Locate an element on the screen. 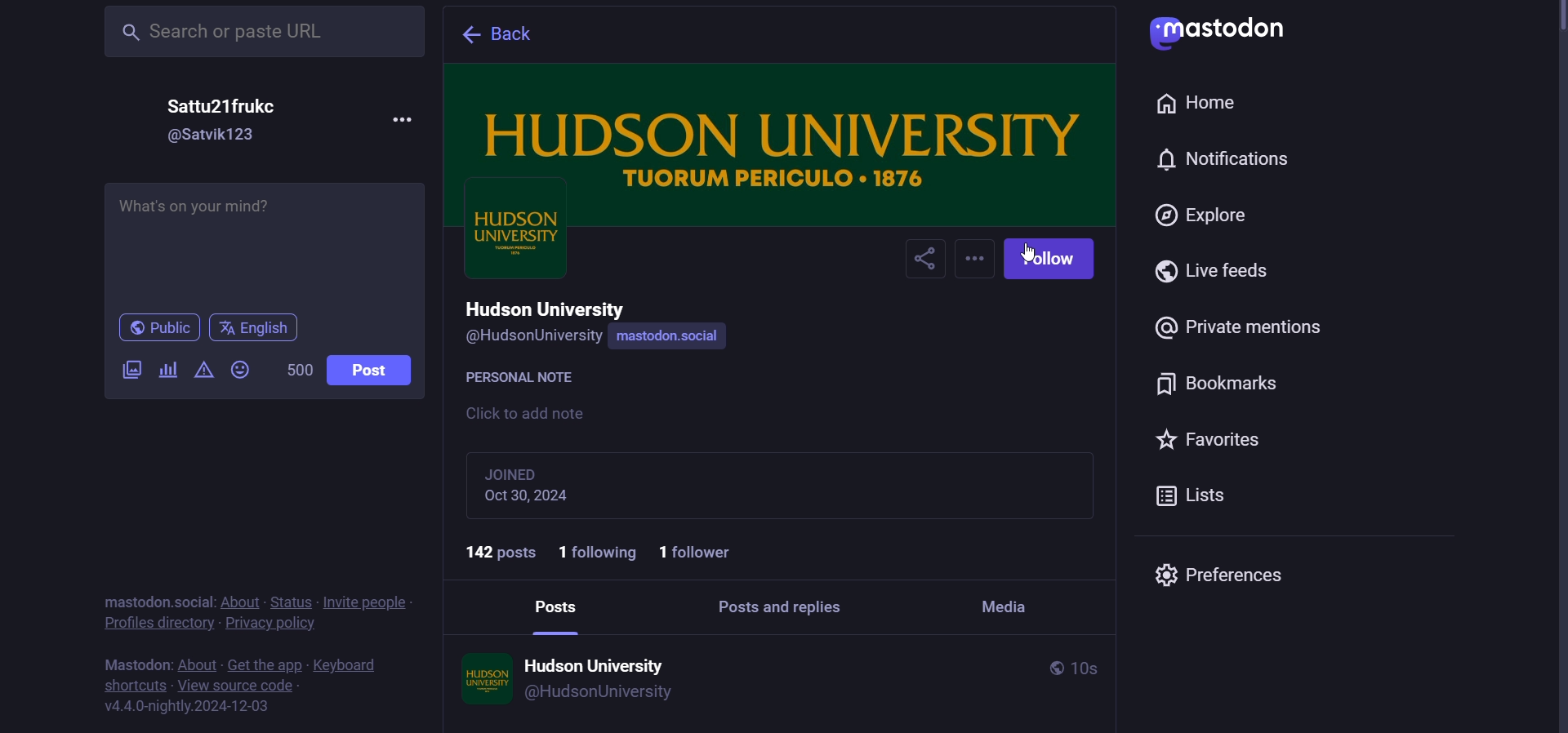  notification is located at coordinates (1218, 160).